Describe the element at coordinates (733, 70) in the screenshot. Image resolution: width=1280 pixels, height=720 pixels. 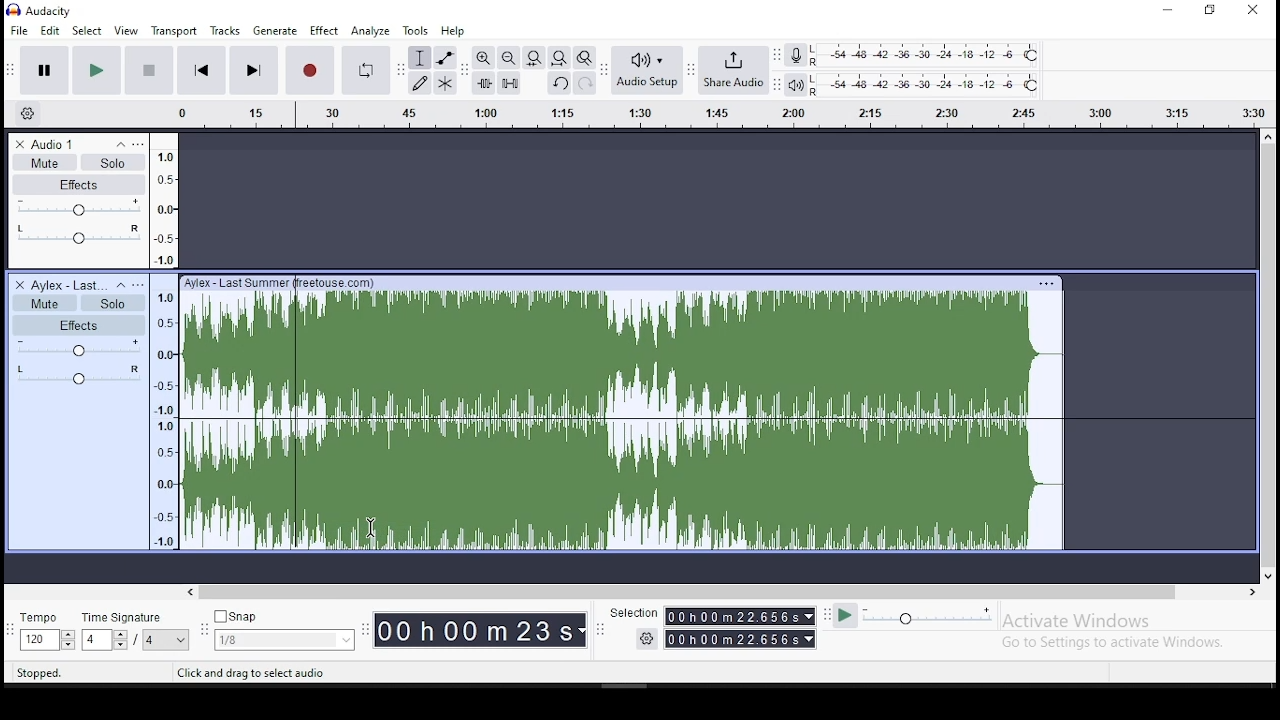
I see `share audio` at that location.